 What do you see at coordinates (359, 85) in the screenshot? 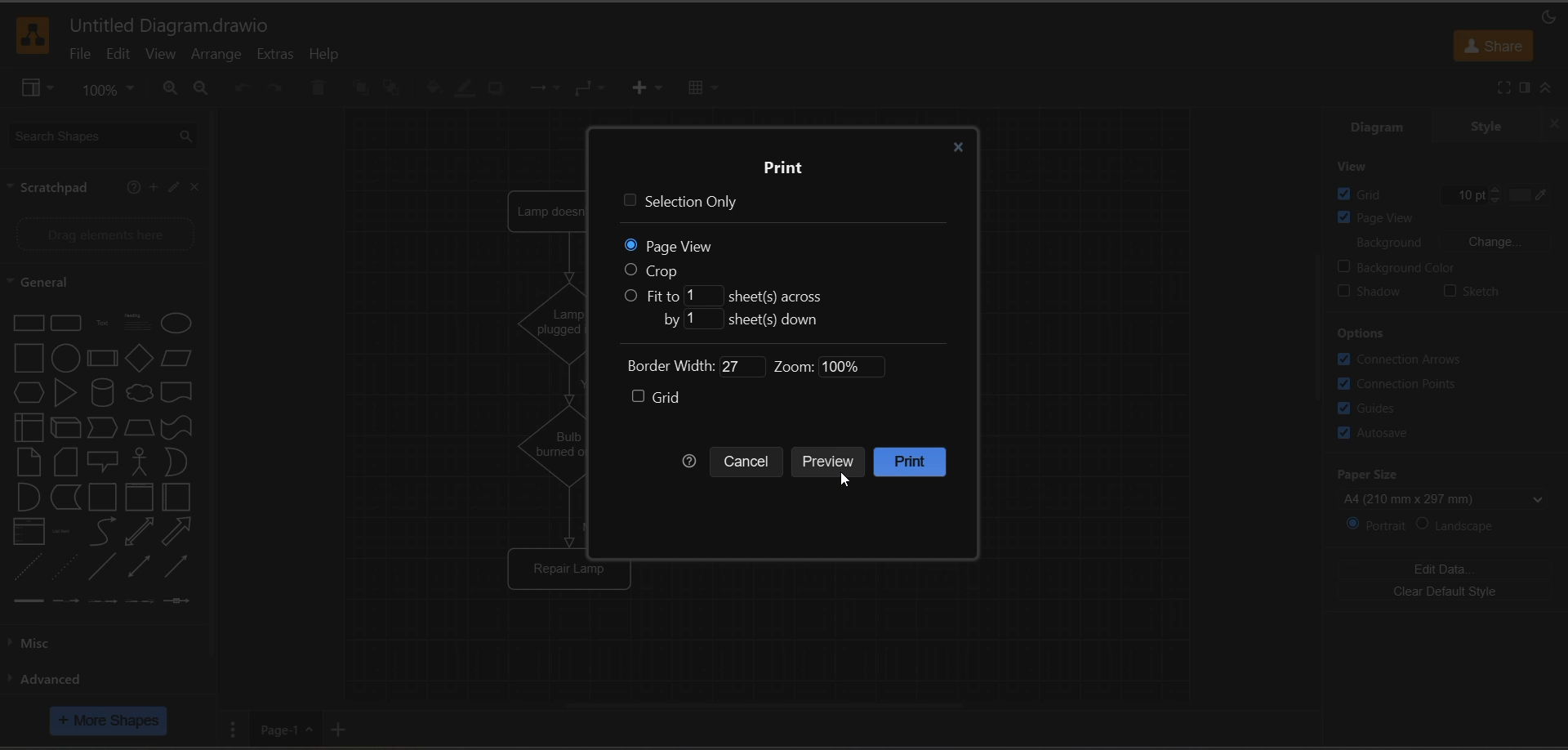
I see `to front` at bounding box center [359, 85].